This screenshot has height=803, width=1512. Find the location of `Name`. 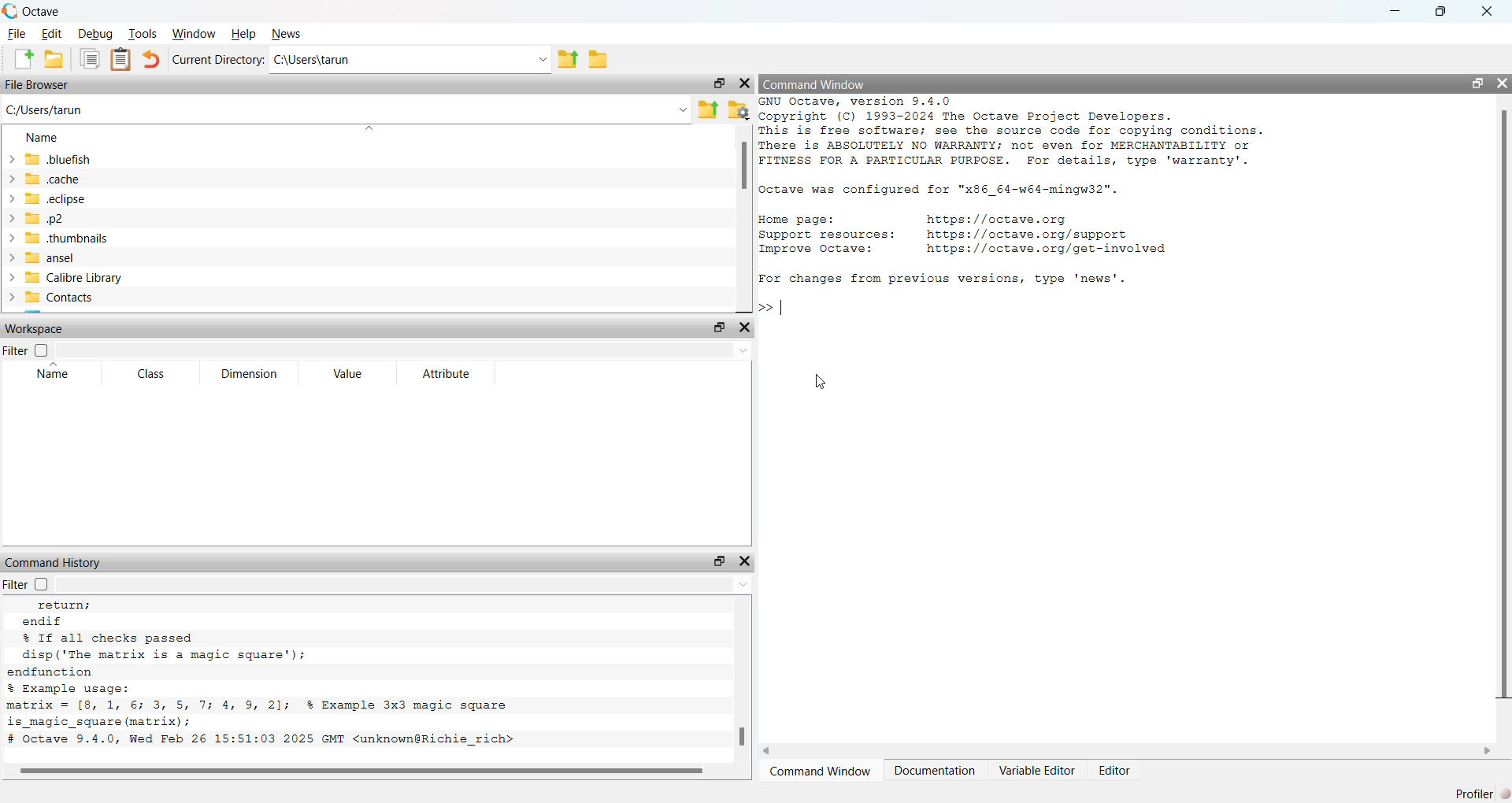

Name is located at coordinates (54, 370).